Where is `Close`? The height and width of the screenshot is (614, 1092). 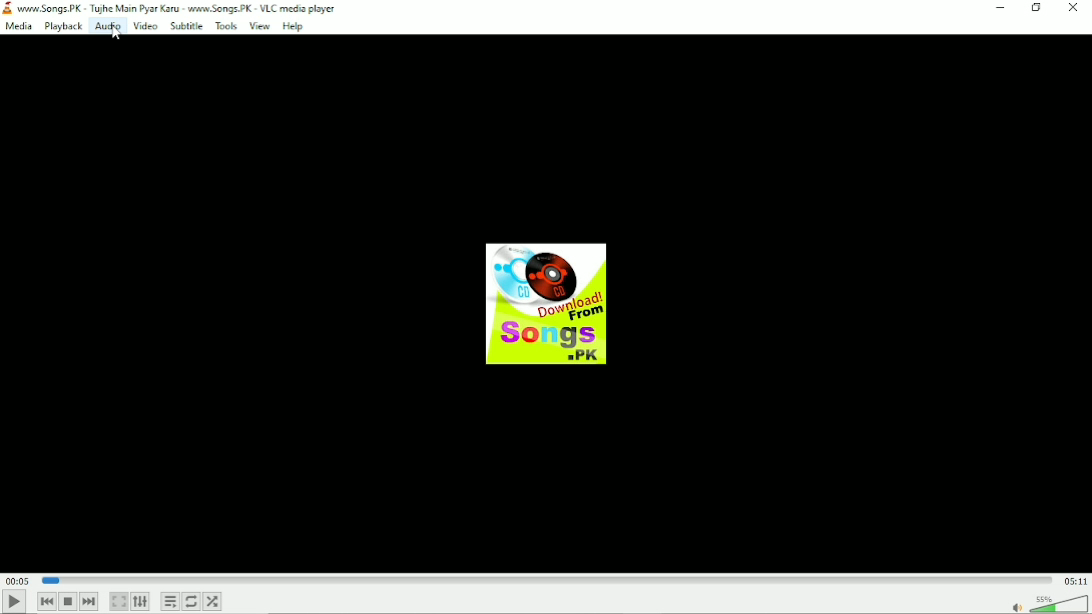 Close is located at coordinates (1075, 8).